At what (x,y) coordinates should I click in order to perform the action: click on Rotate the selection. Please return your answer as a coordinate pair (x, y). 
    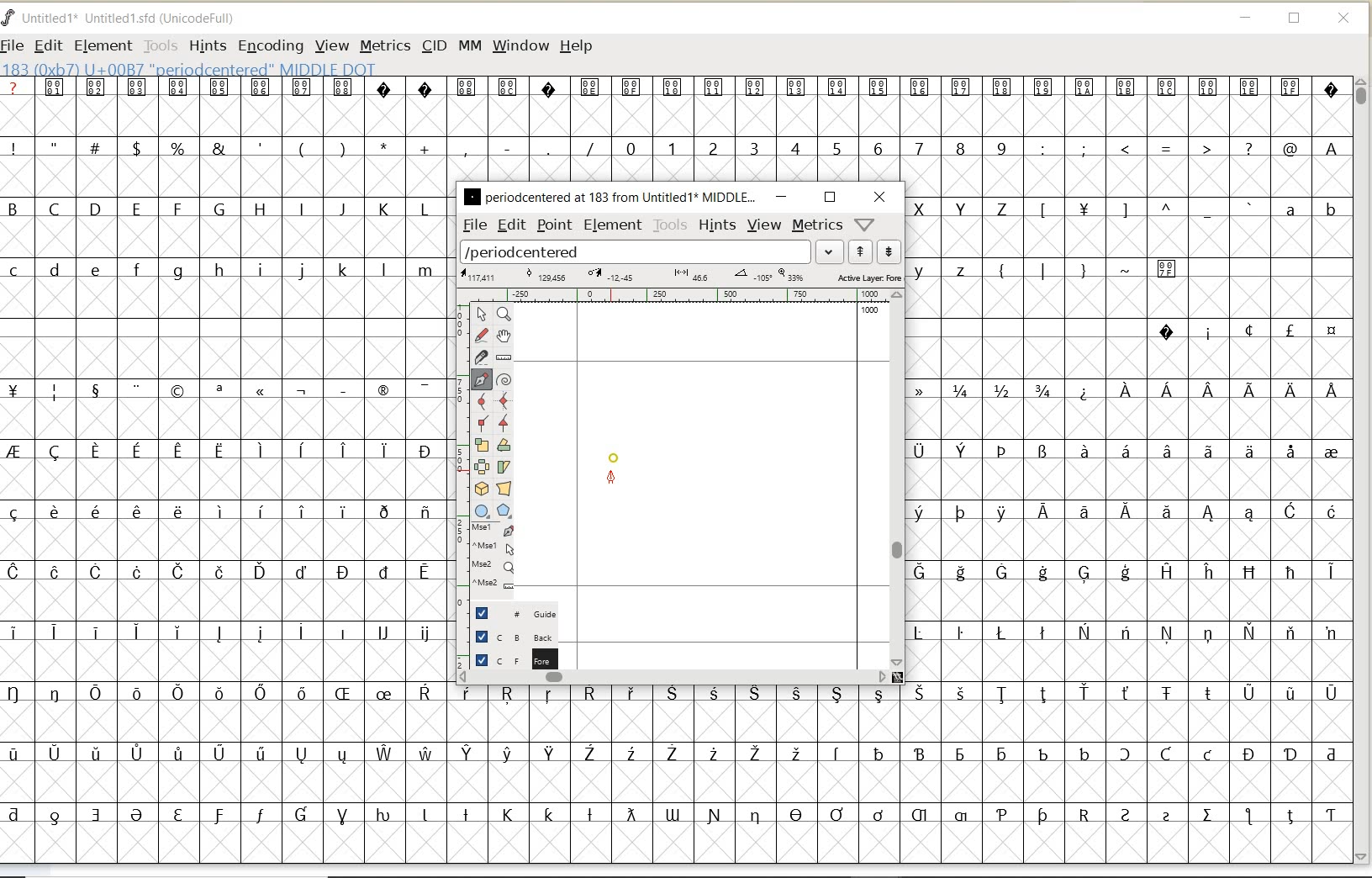
    Looking at the image, I should click on (504, 445).